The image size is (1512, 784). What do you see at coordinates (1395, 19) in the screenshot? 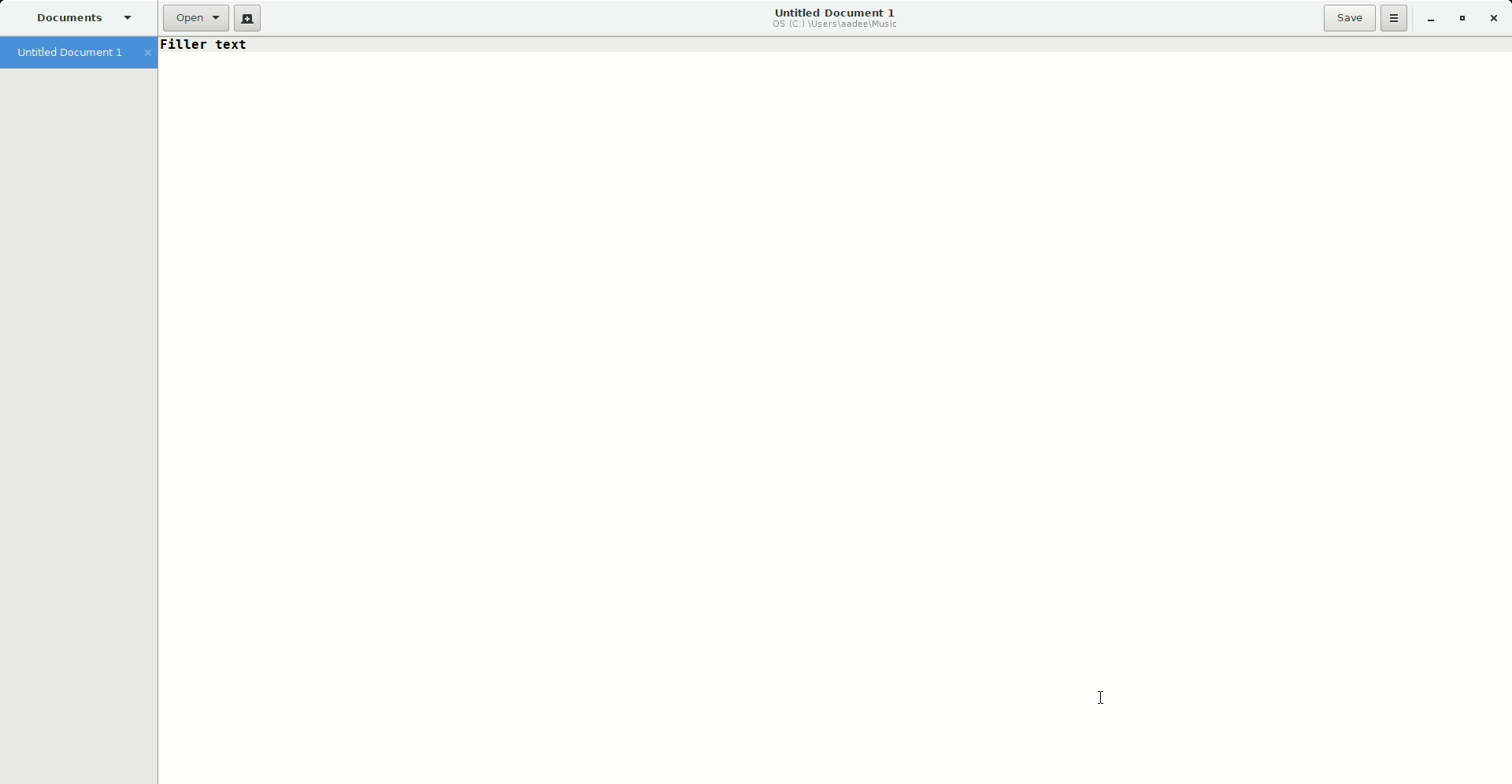
I see `Options` at bounding box center [1395, 19].